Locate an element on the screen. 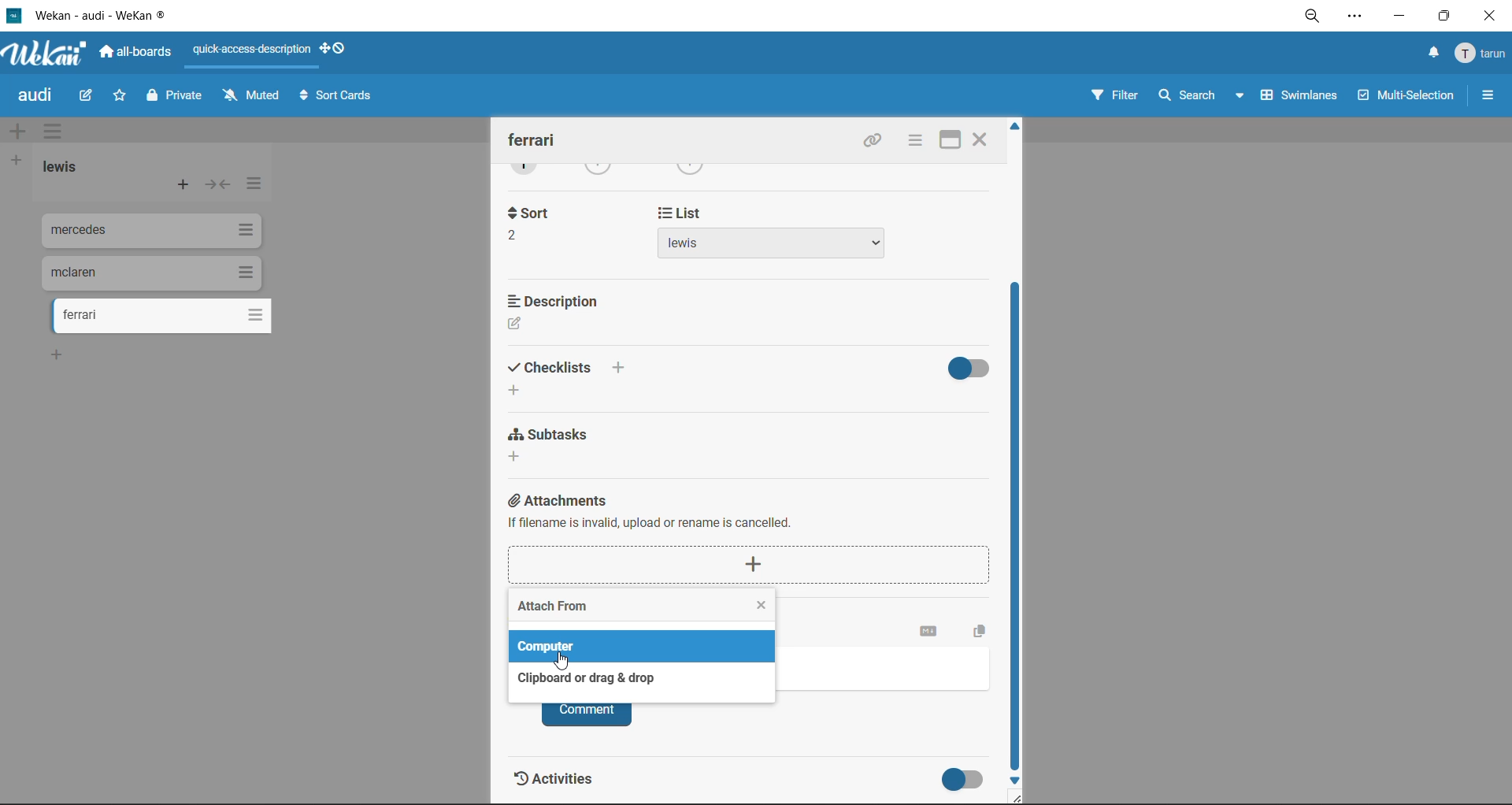 Image resolution: width=1512 pixels, height=805 pixels. all boards is located at coordinates (136, 54).